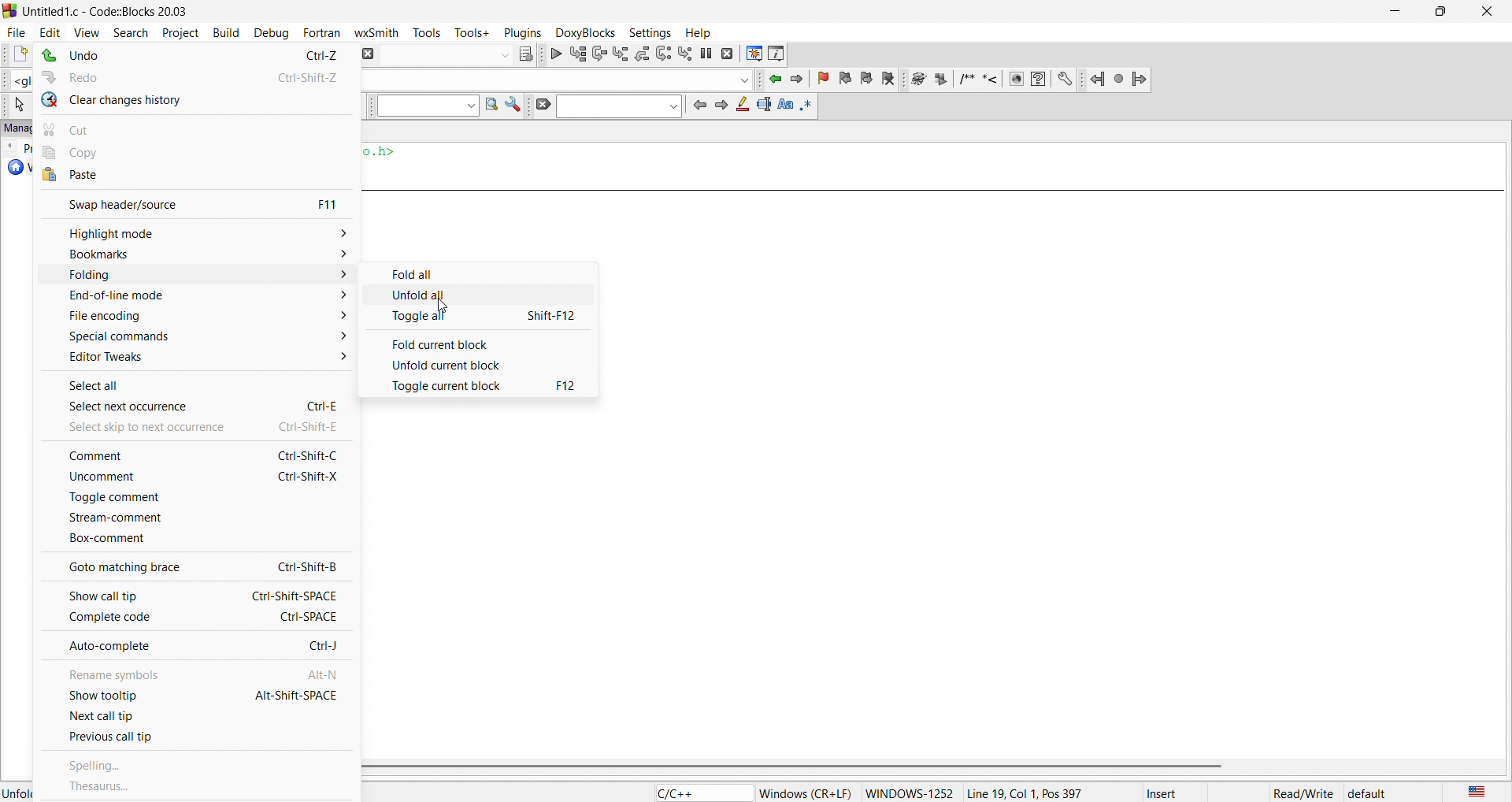  I want to click on toggle comment, so click(191, 498).